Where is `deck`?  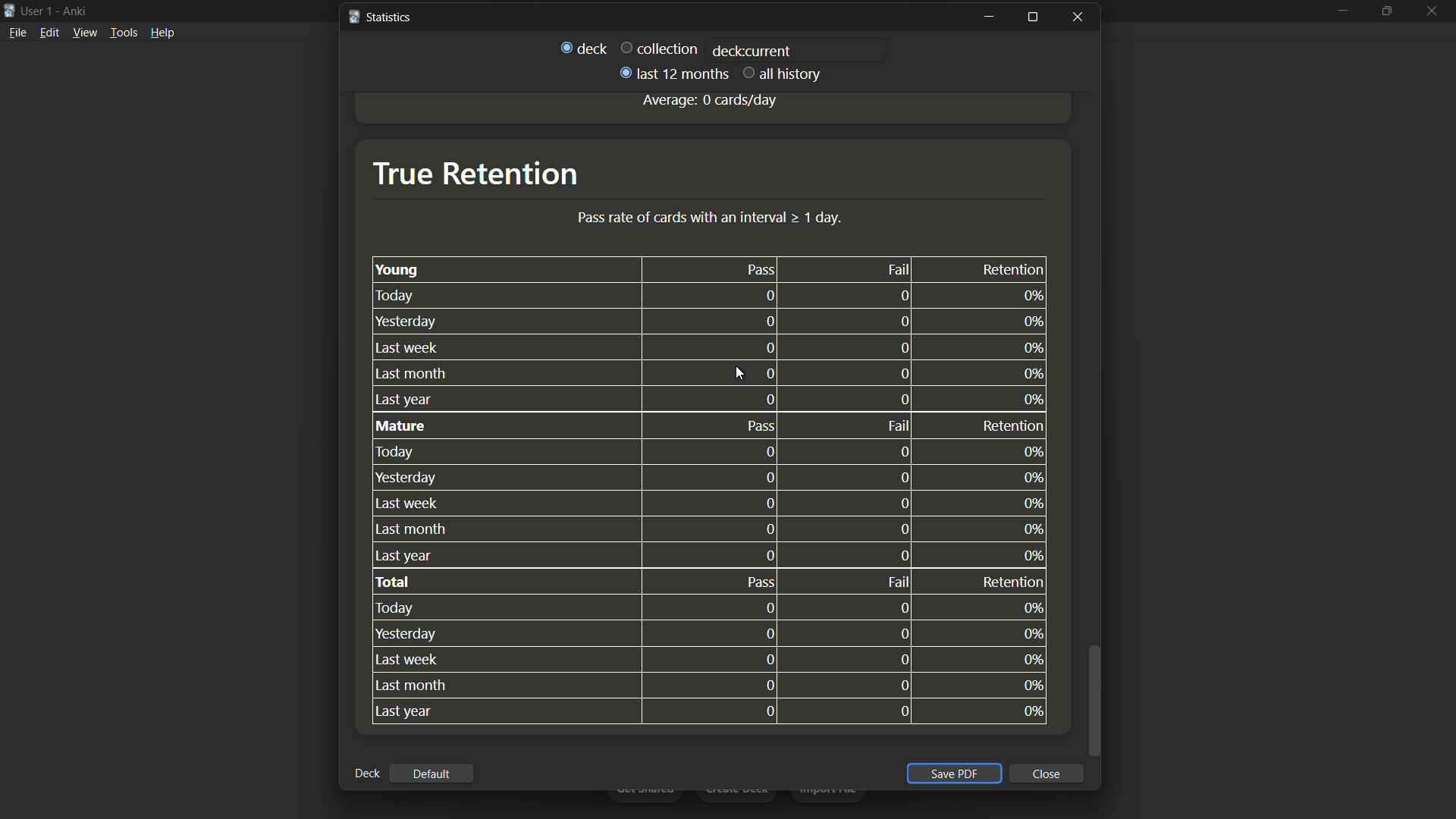
deck is located at coordinates (584, 48).